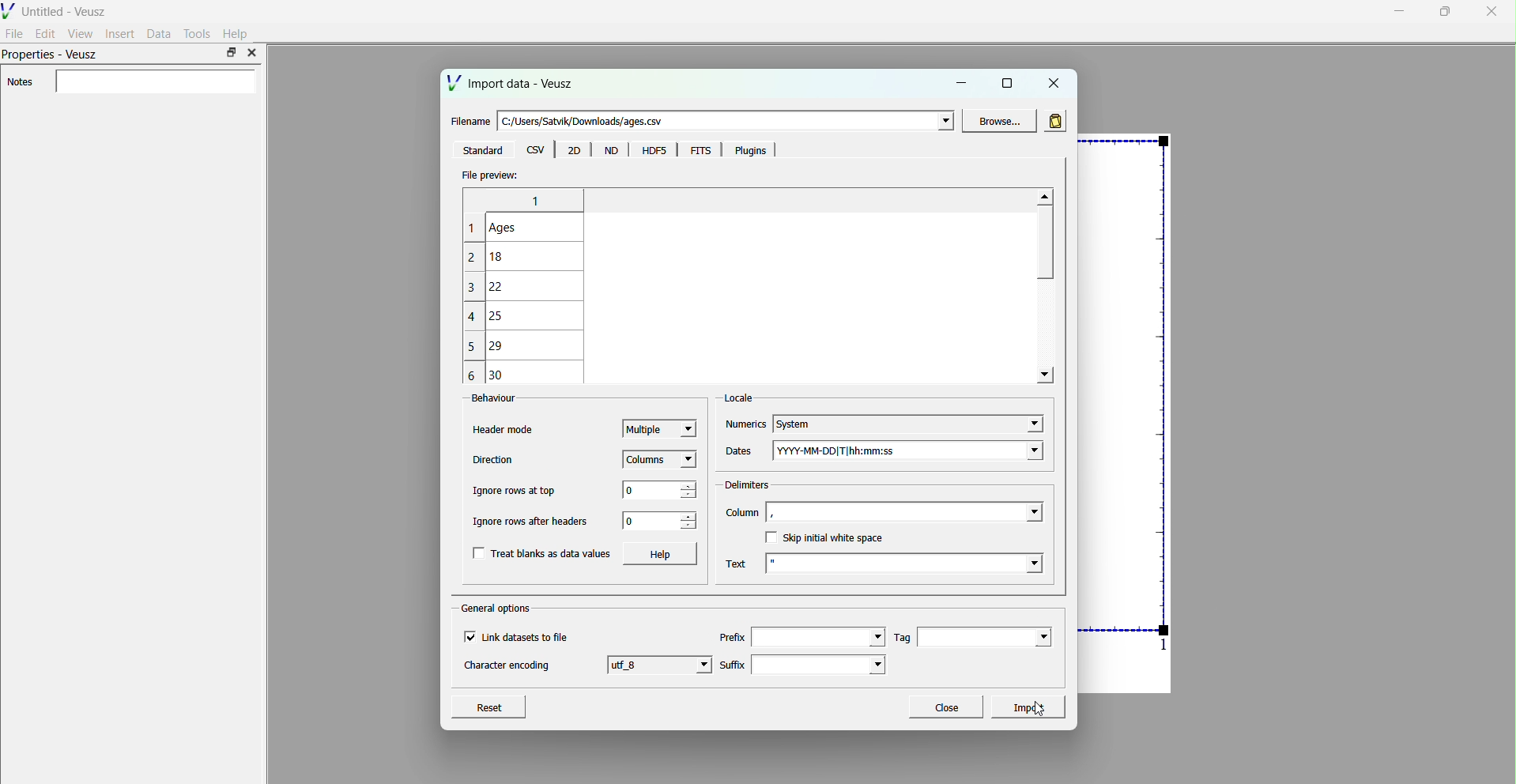 This screenshot has width=1516, height=784. What do you see at coordinates (236, 34) in the screenshot?
I see `Help` at bounding box center [236, 34].